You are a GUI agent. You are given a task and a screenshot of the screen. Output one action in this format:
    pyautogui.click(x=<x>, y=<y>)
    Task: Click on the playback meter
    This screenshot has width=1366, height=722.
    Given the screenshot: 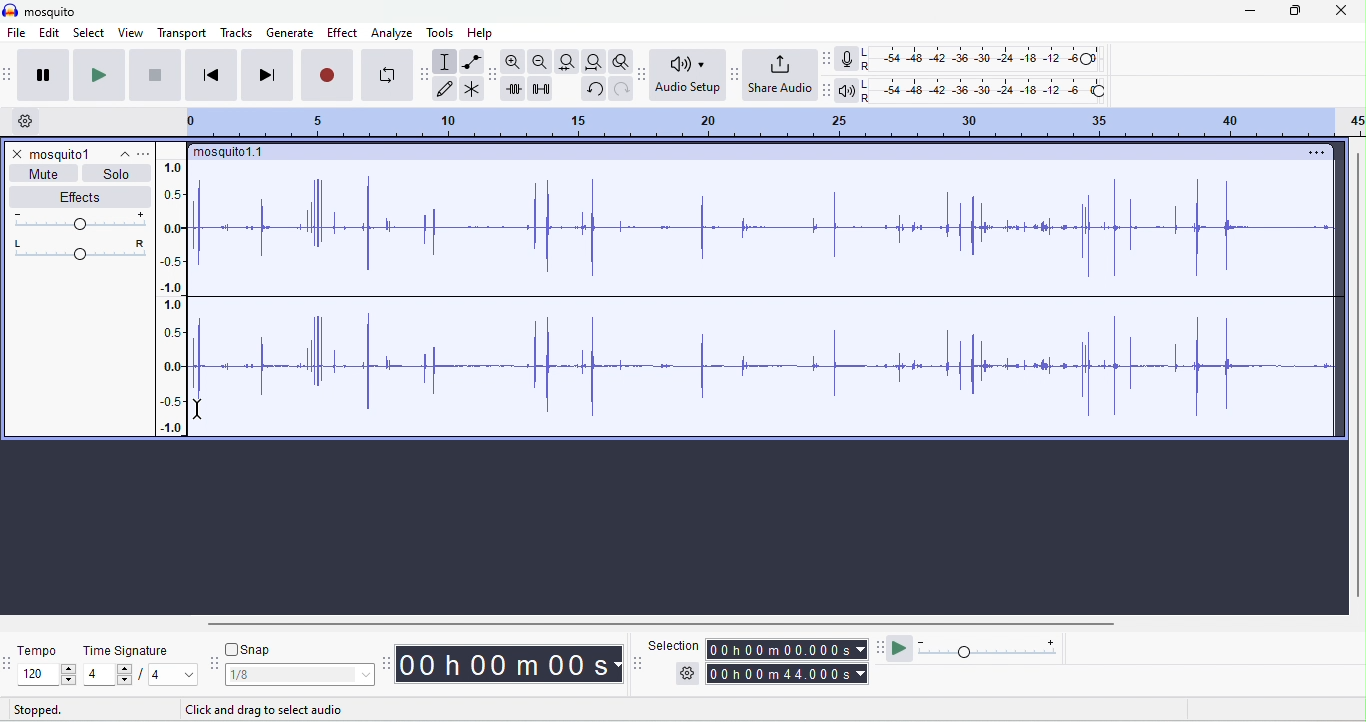 What is the action you would take?
    pyautogui.click(x=844, y=91)
    